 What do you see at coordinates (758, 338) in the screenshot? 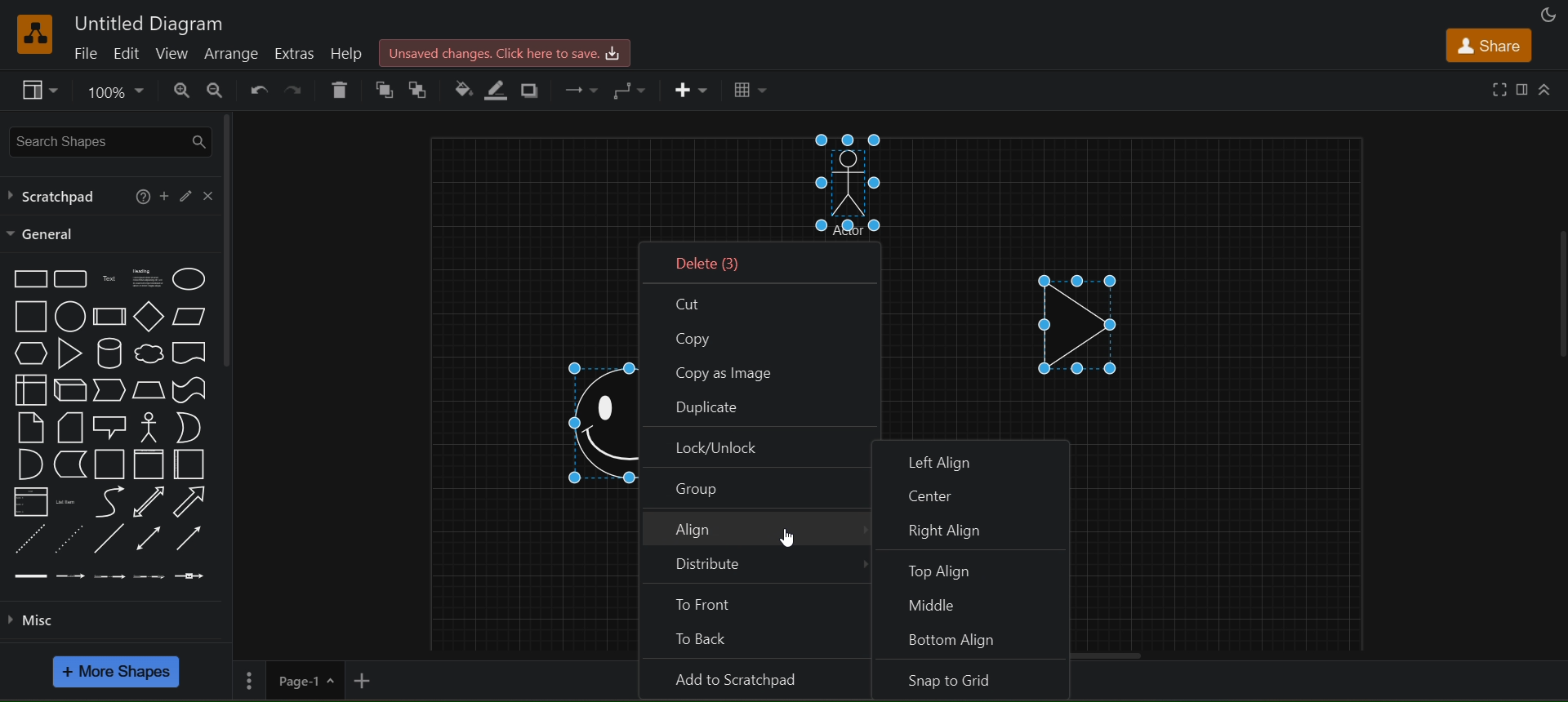
I see `copy ` at bounding box center [758, 338].